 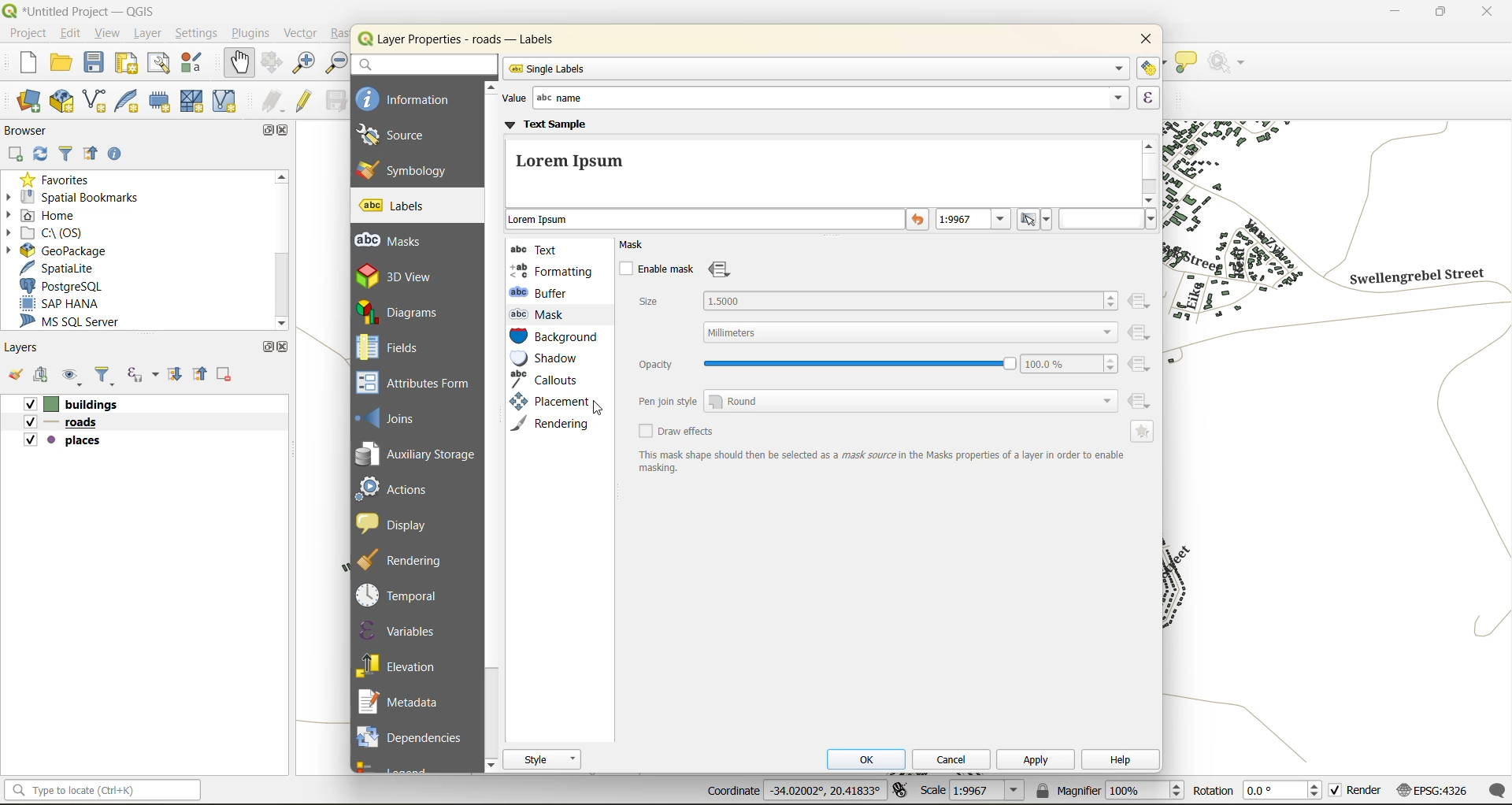 I want to click on roads layer, so click(x=68, y=423).